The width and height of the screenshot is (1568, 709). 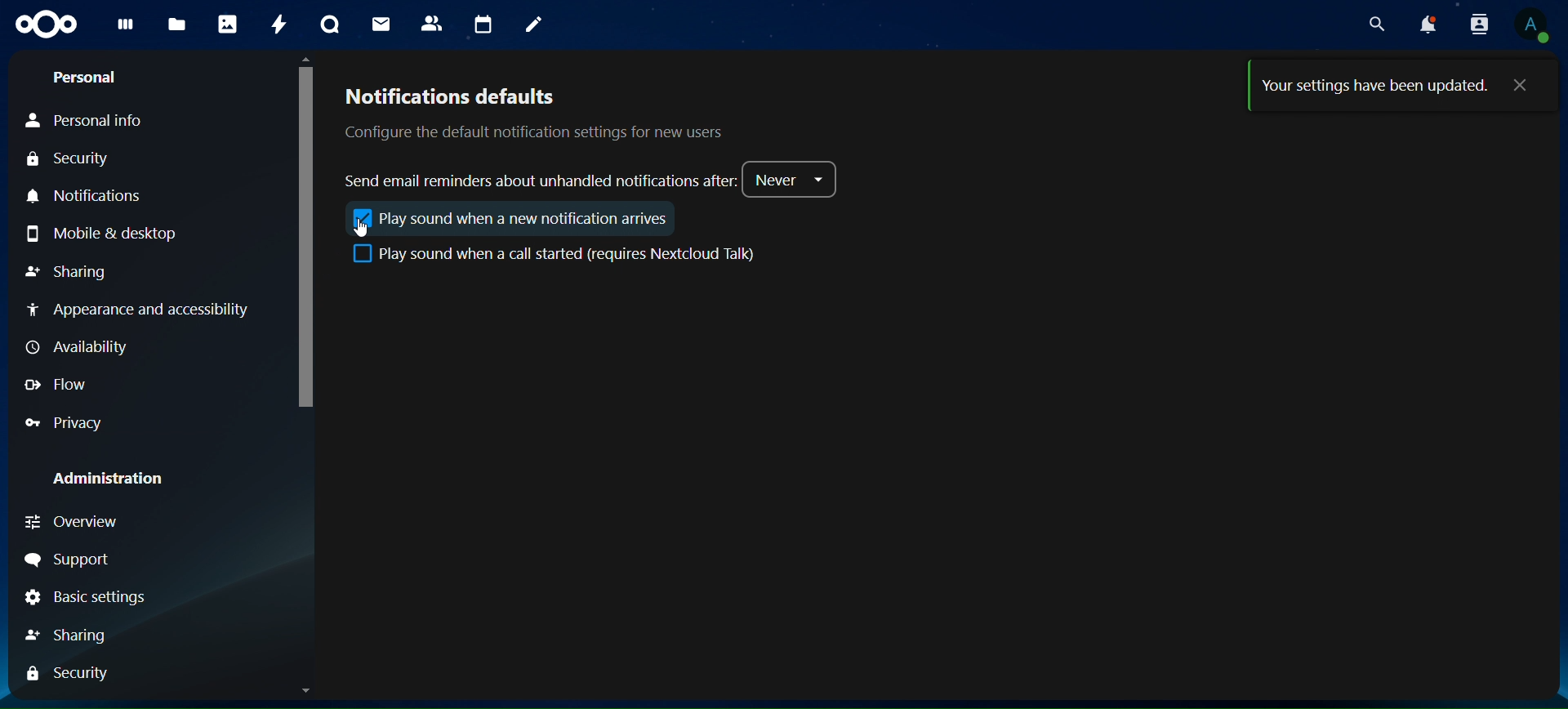 I want to click on search, so click(x=1375, y=25).